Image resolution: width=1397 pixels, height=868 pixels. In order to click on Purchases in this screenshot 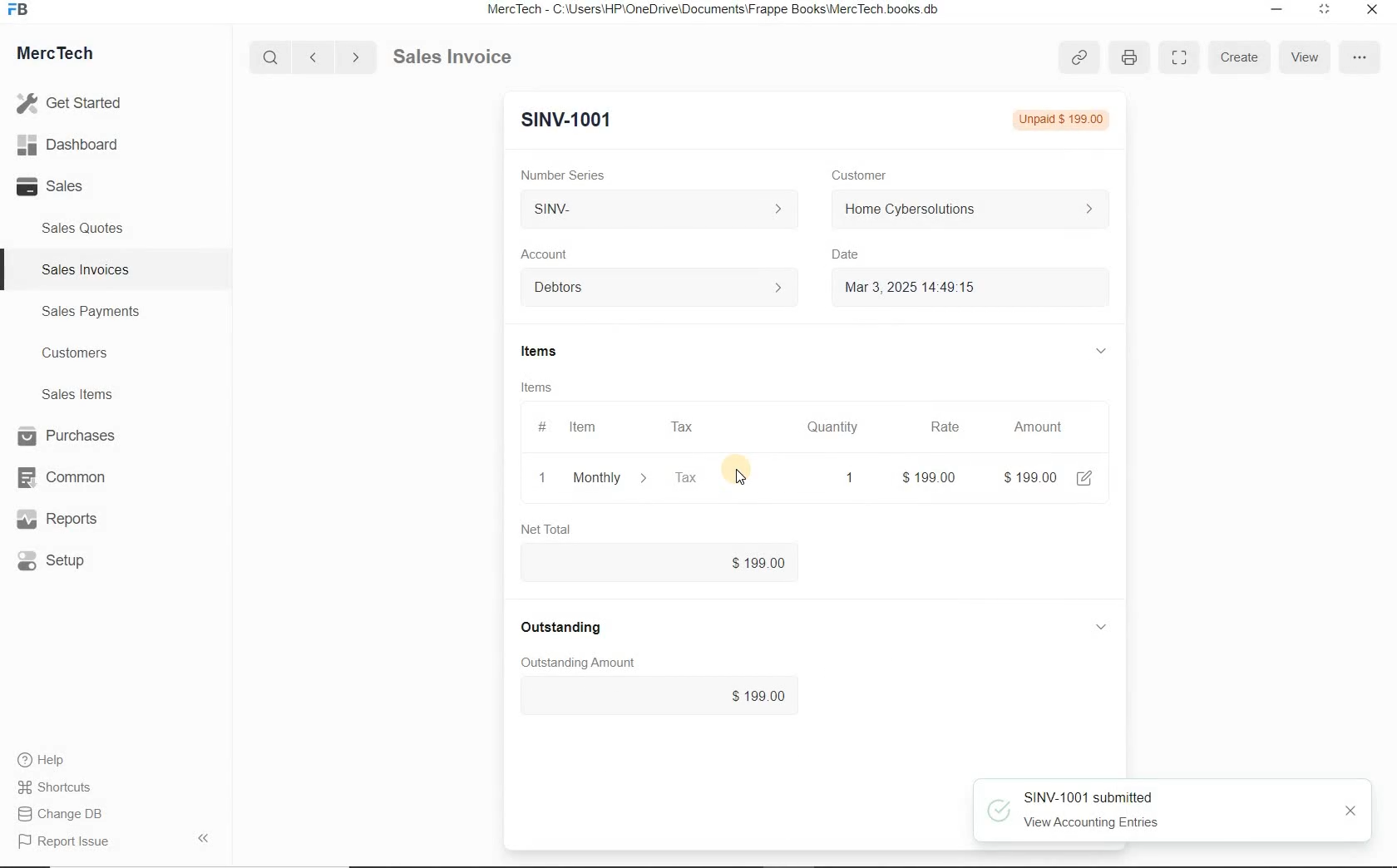, I will do `click(69, 437)`.